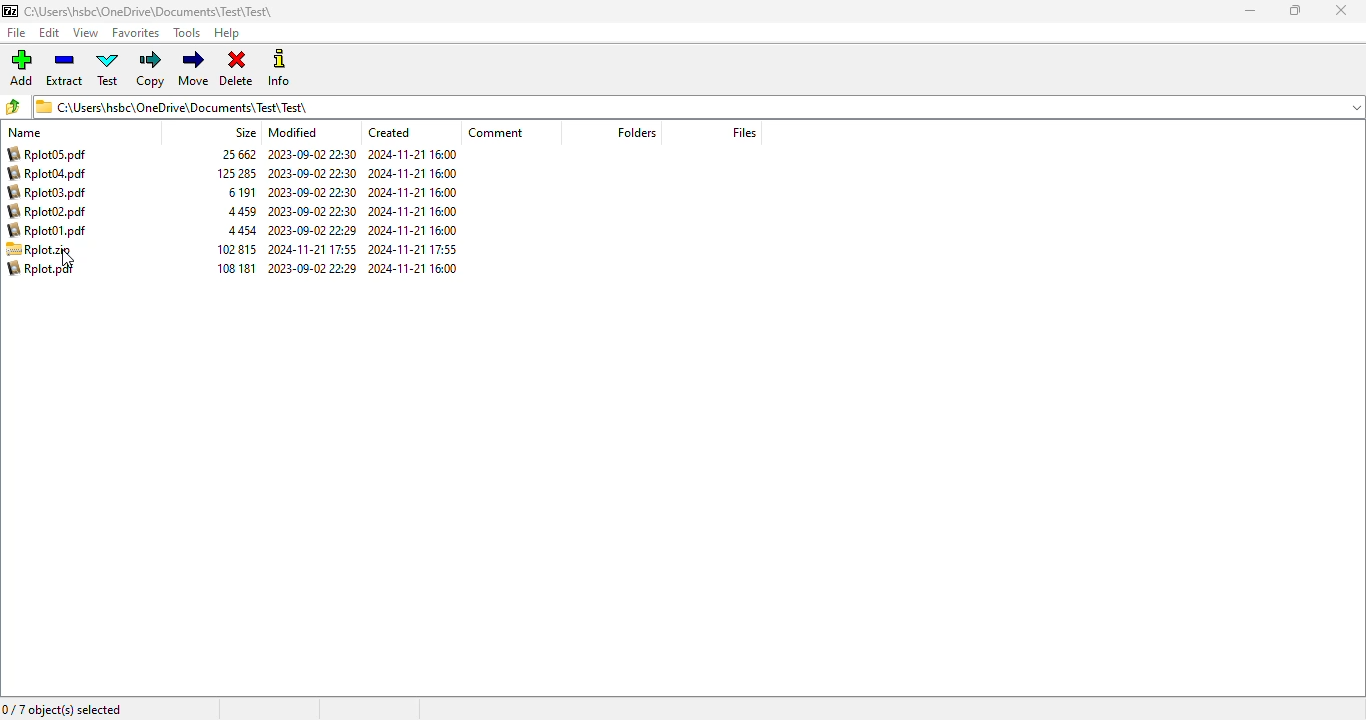  I want to click on file, so click(17, 33).